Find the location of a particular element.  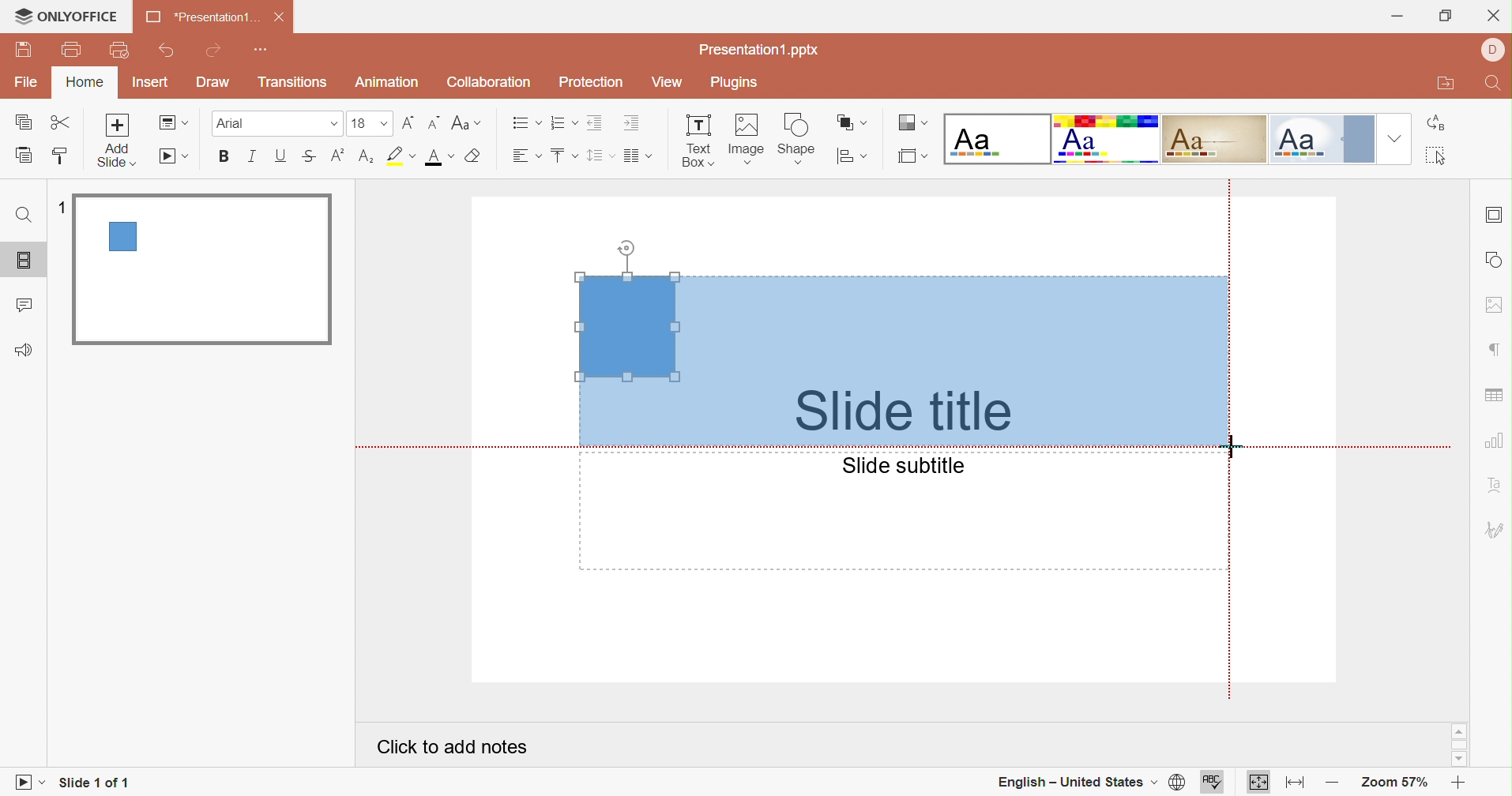

Superscript is located at coordinates (336, 160).